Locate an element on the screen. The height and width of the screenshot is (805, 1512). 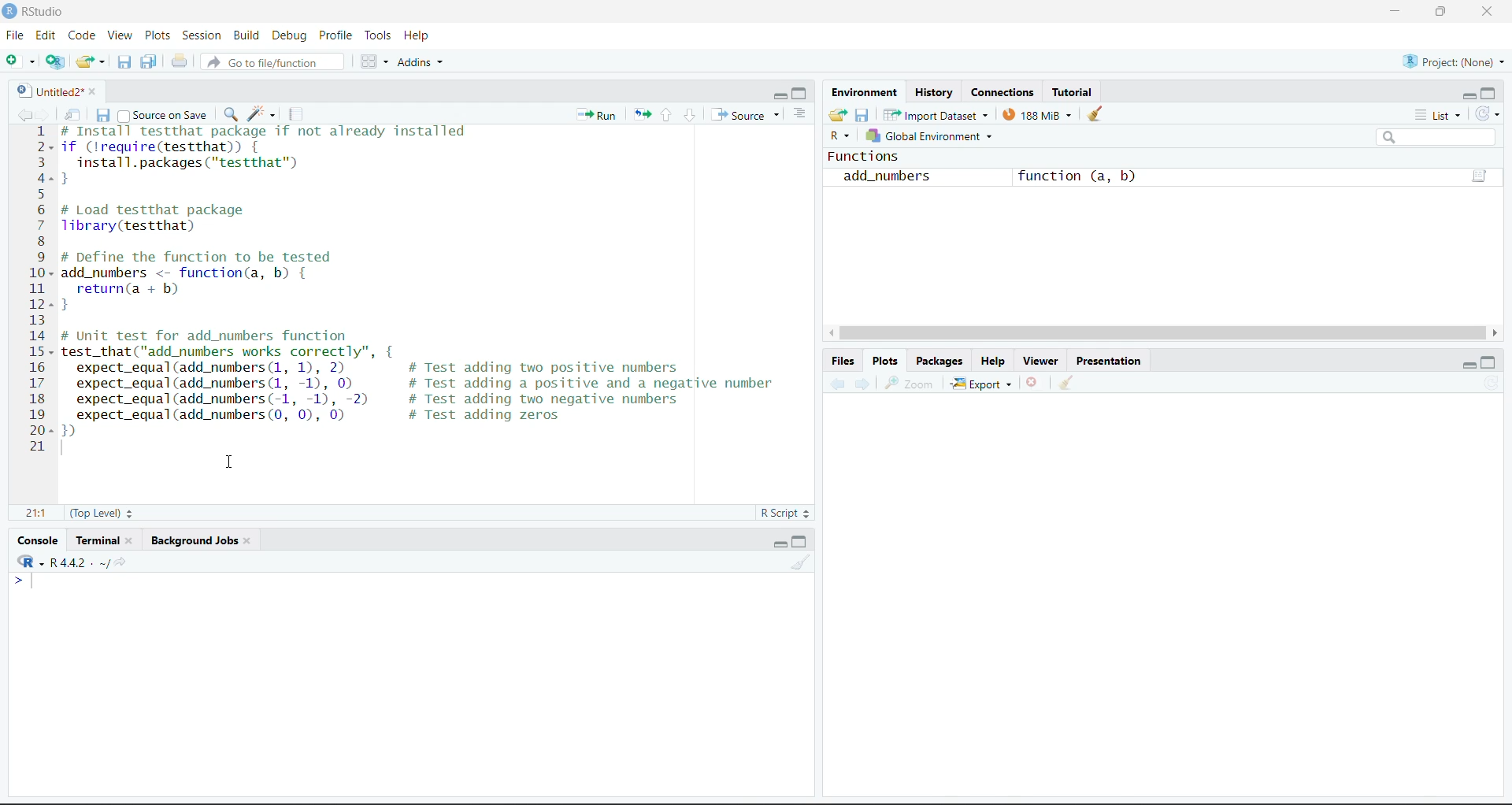
21:1 is located at coordinates (39, 514).